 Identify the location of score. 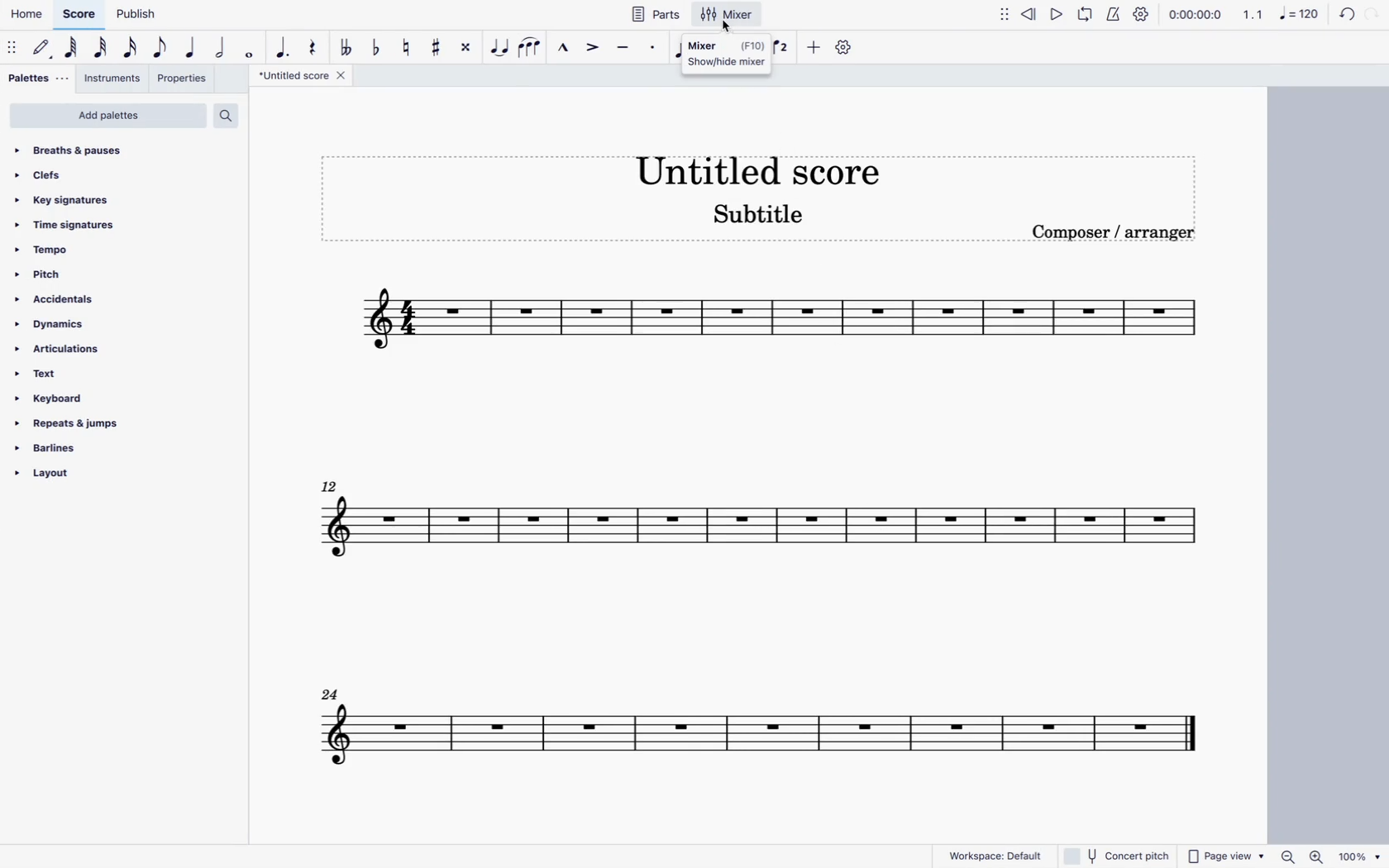
(79, 15).